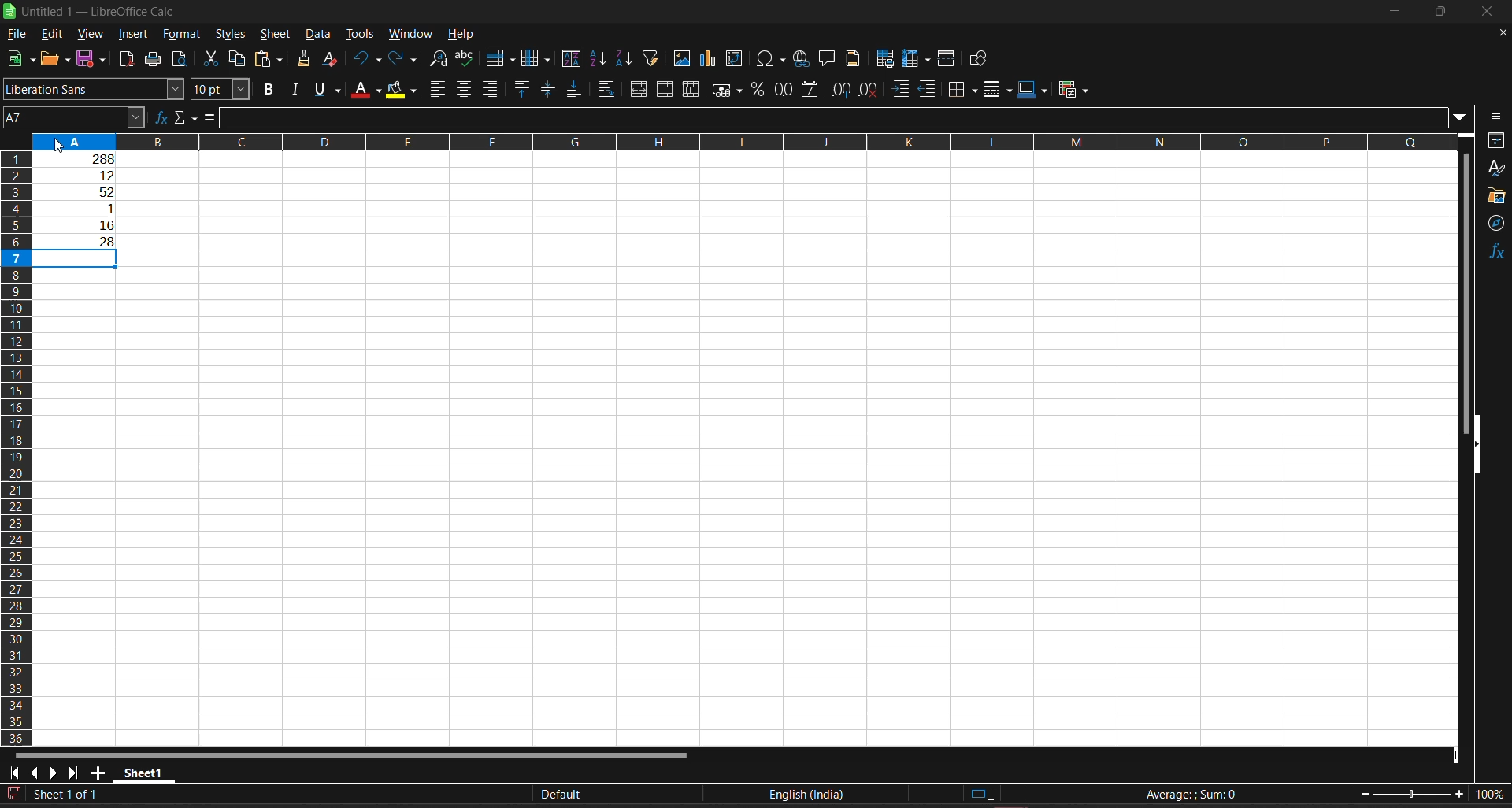  I want to click on sidebar settings, so click(1497, 116).